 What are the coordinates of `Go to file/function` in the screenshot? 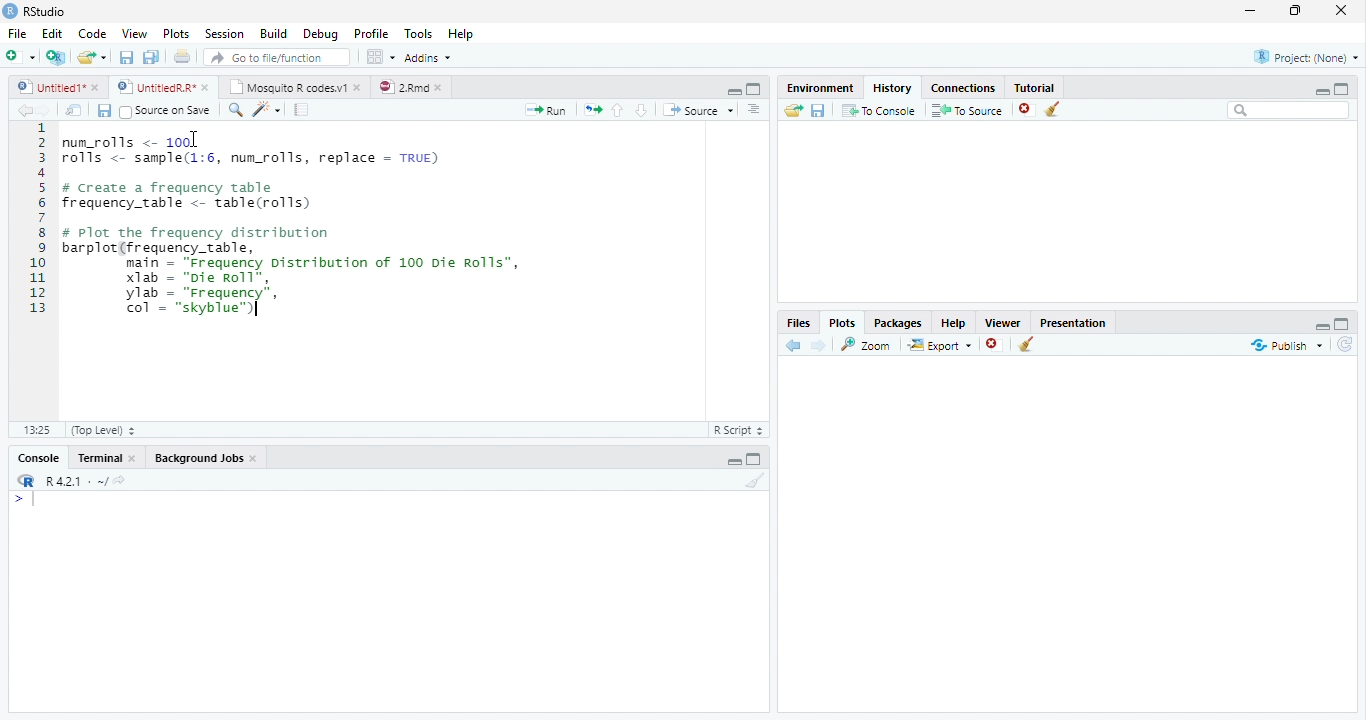 It's located at (275, 57).